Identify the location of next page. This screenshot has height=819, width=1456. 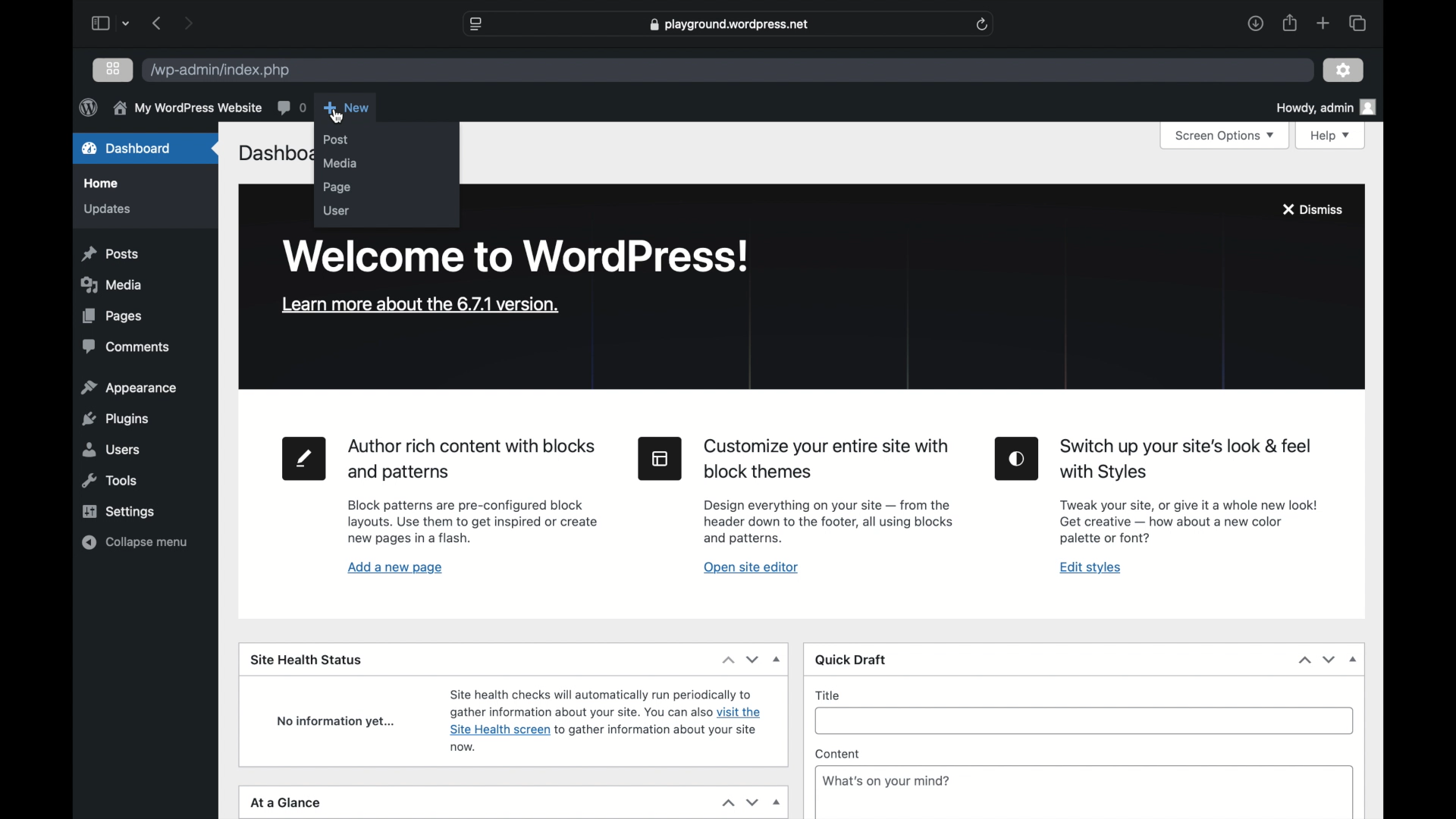
(190, 22).